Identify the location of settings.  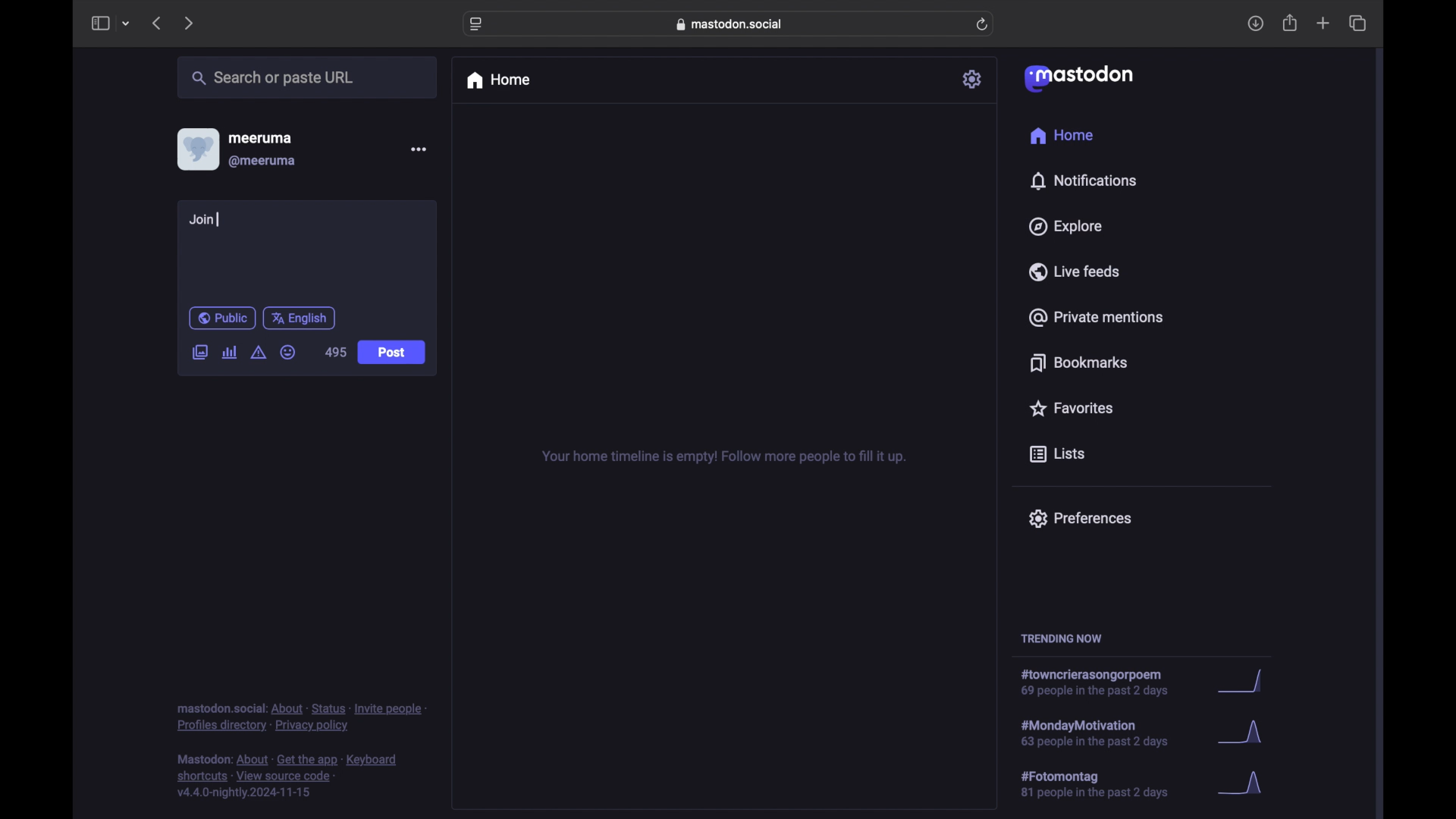
(974, 79).